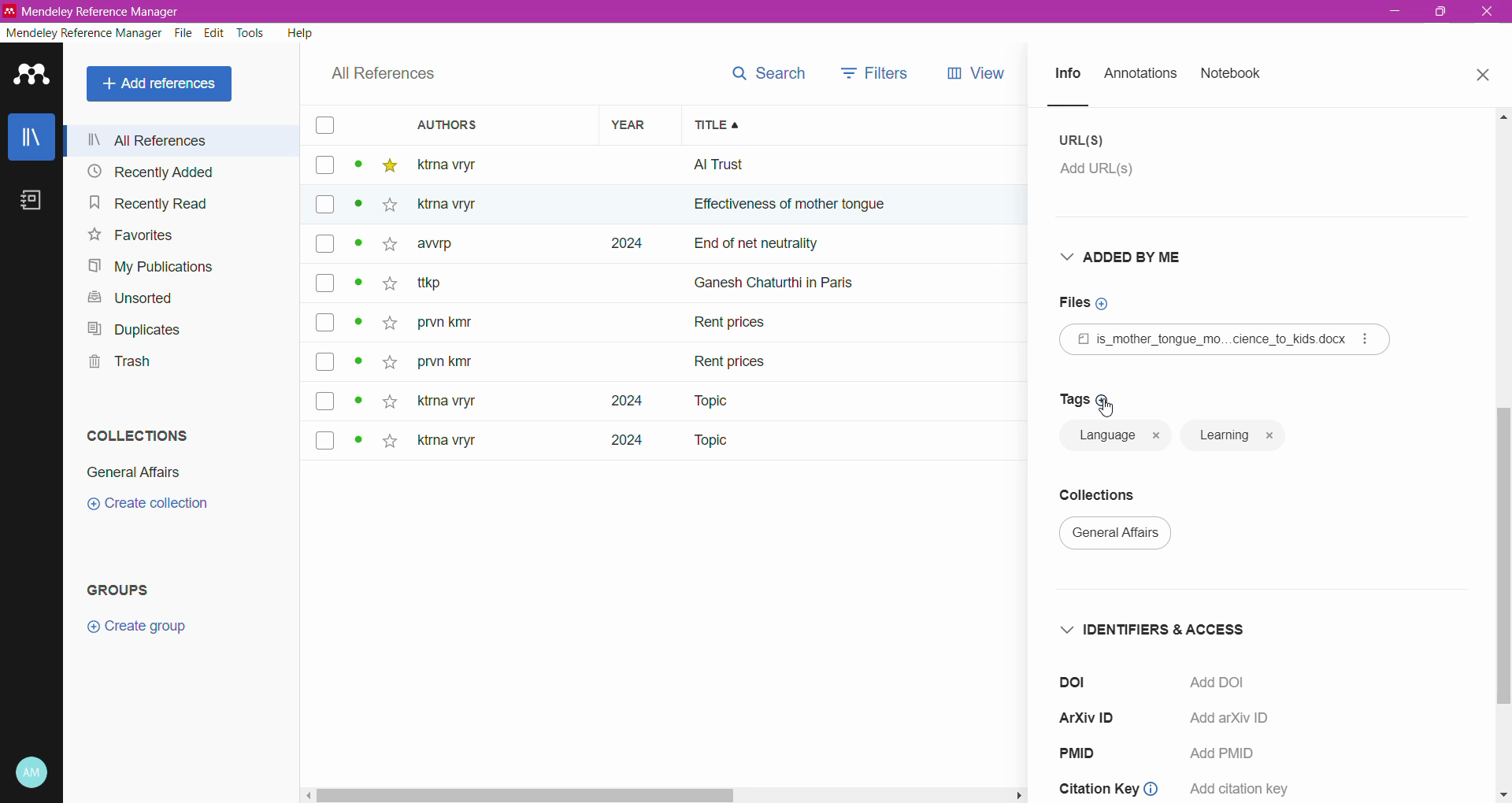 This screenshot has height=803, width=1512. Describe the element at coordinates (445, 364) in the screenshot. I see `prvn kity` at that location.